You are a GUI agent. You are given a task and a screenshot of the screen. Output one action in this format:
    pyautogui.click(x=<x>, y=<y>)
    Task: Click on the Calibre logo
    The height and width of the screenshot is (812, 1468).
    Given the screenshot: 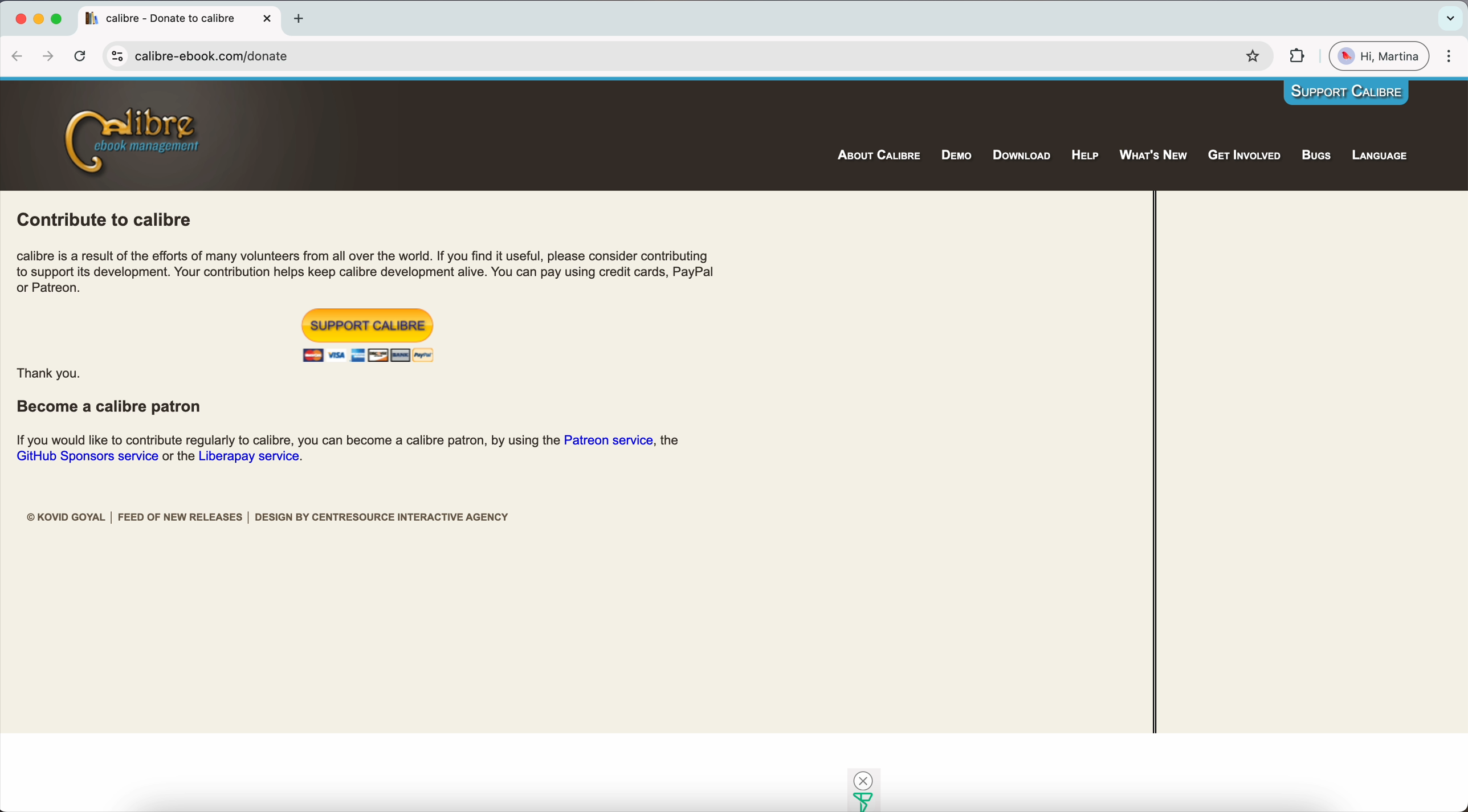 What is the action you would take?
    pyautogui.click(x=132, y=140)
    